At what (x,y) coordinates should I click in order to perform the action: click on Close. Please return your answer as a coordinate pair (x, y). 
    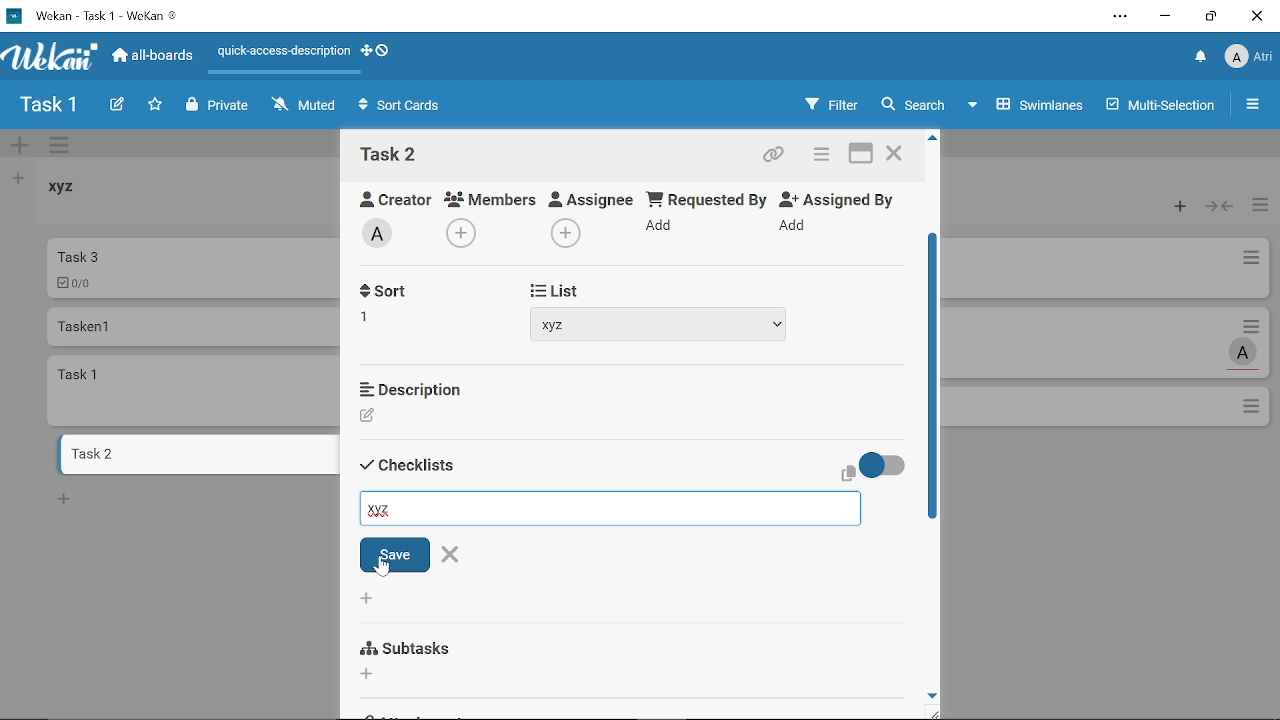
    Looking at the image, I should click on (455, 556).